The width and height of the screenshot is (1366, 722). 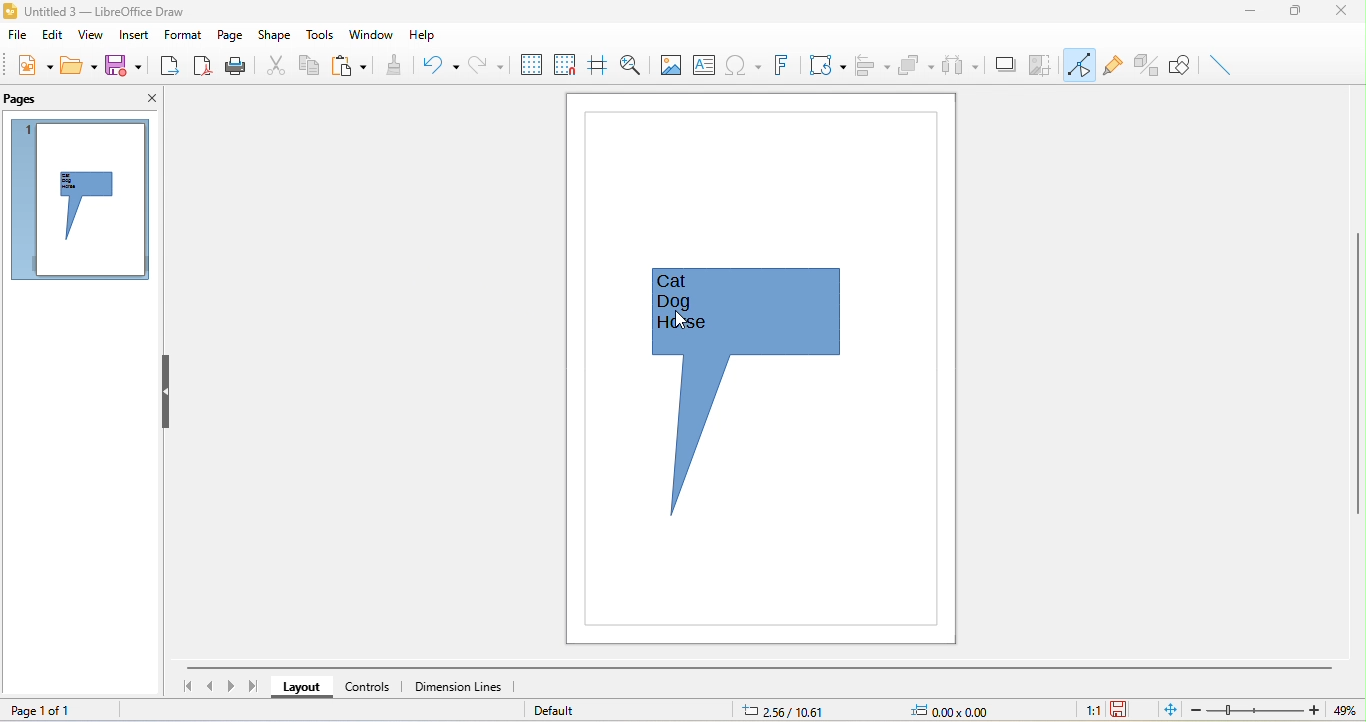 What do you see at coordinates (1166, 709) in the screenshot?
I see `fit to the current window` at bounding box center [1166, 709].